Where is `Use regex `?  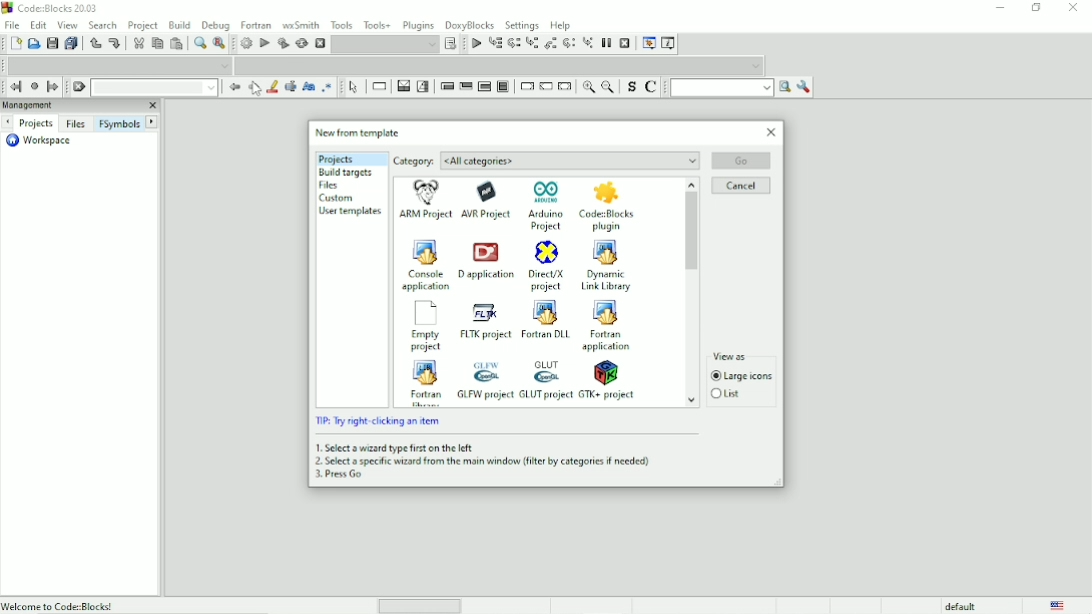
Use regex  is located at coordinates (328, 88).